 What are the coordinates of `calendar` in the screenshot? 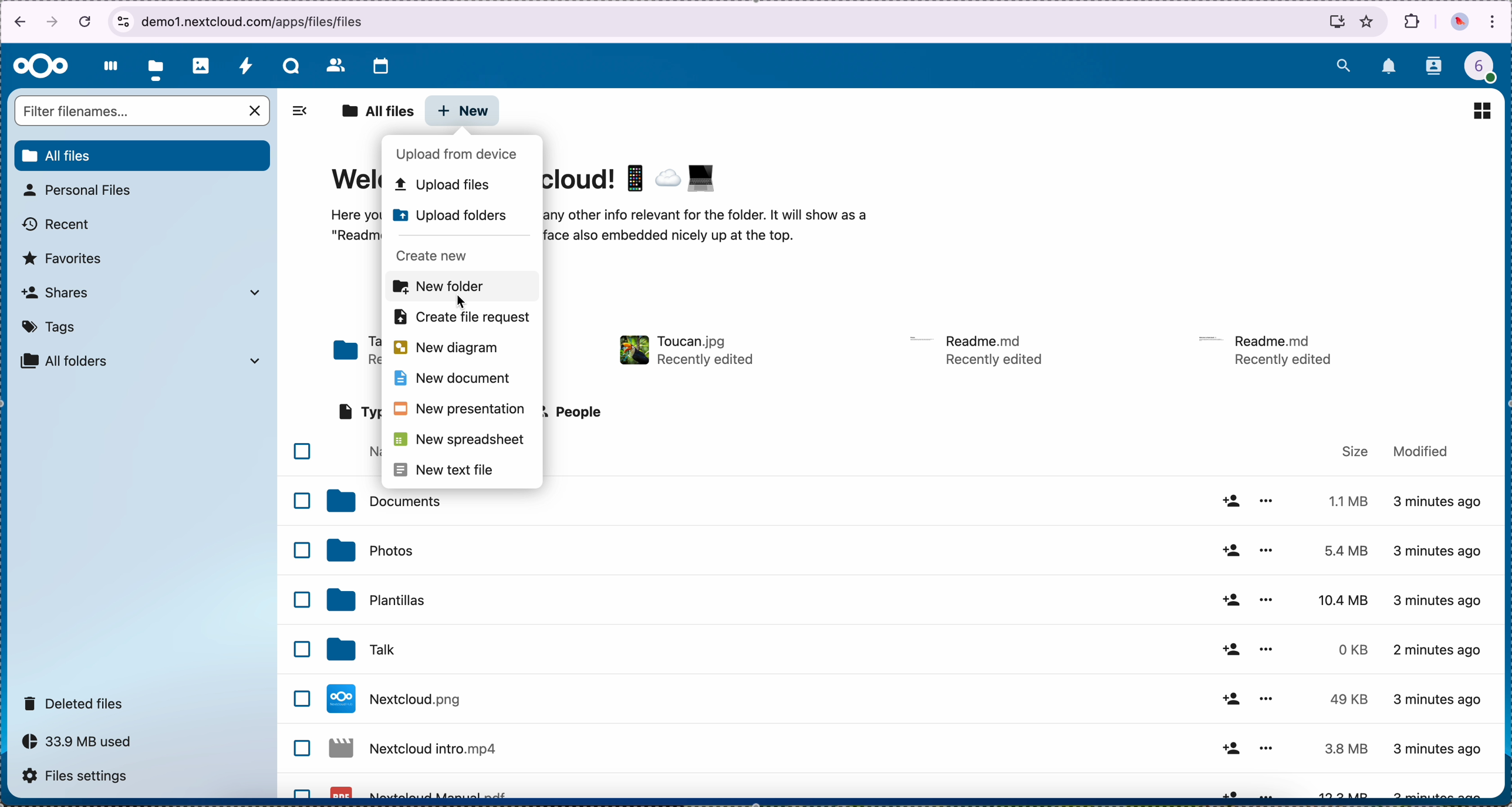 It's located at (380, 67).